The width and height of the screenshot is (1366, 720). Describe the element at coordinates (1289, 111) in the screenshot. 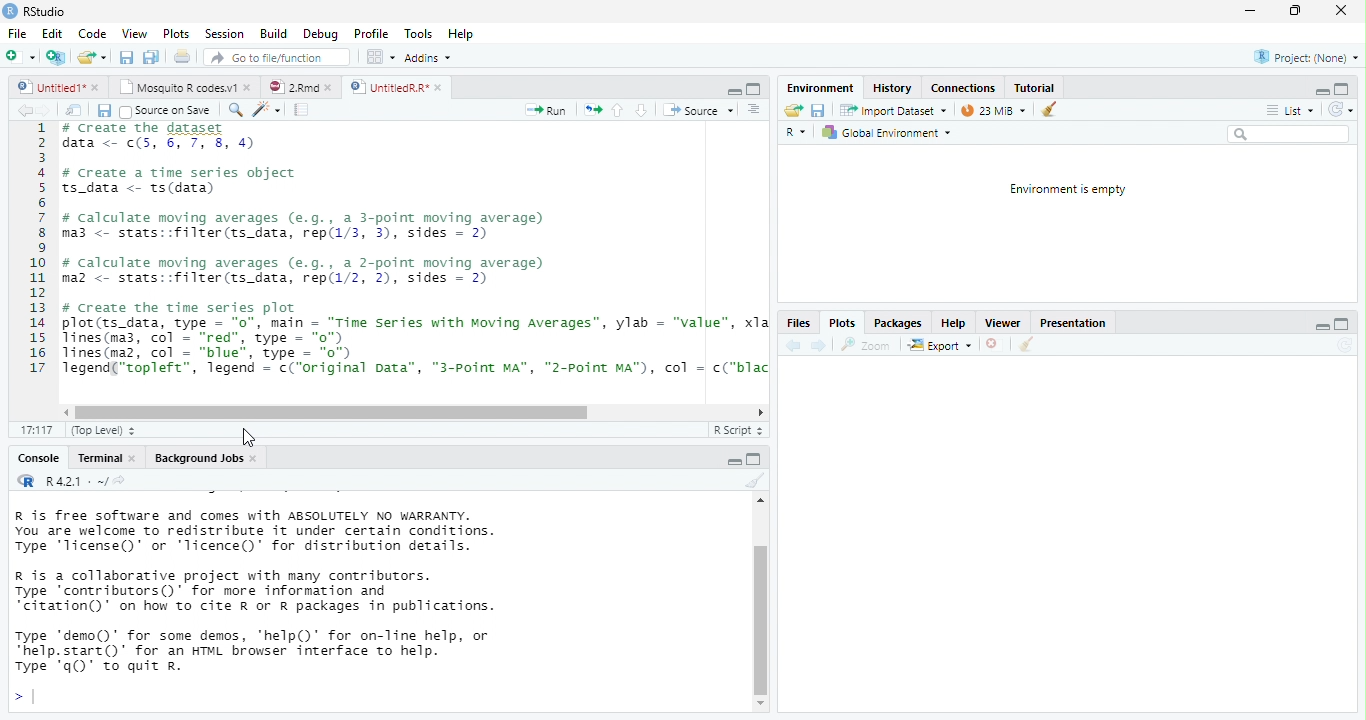

I see `List` at that location.